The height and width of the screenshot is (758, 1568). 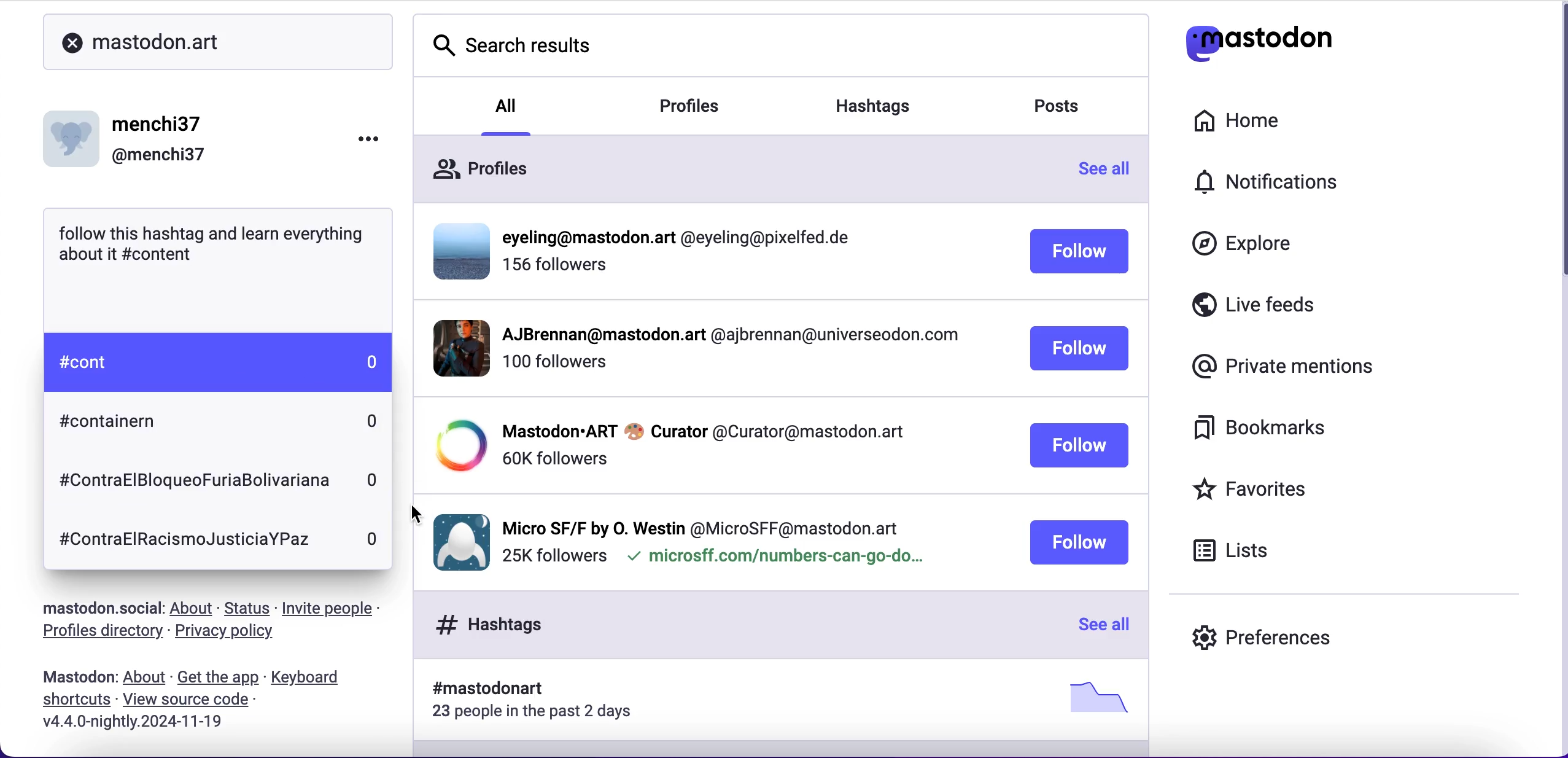 I want to click on shortcuts, so click(x=72, y=702).